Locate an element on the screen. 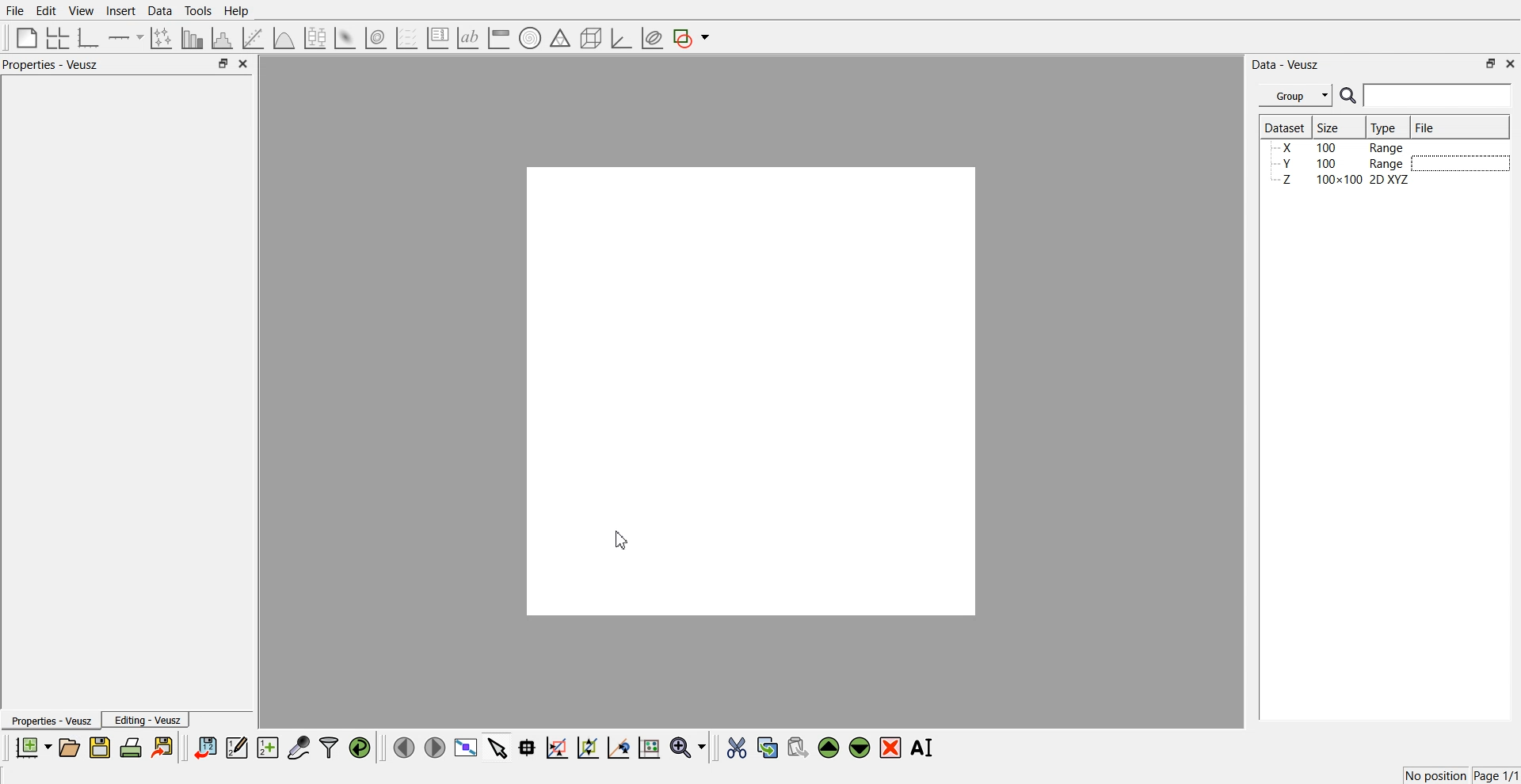 This screenshot has width=1521, height=784. Y 100 Range is located at coordinates (1341, 164).